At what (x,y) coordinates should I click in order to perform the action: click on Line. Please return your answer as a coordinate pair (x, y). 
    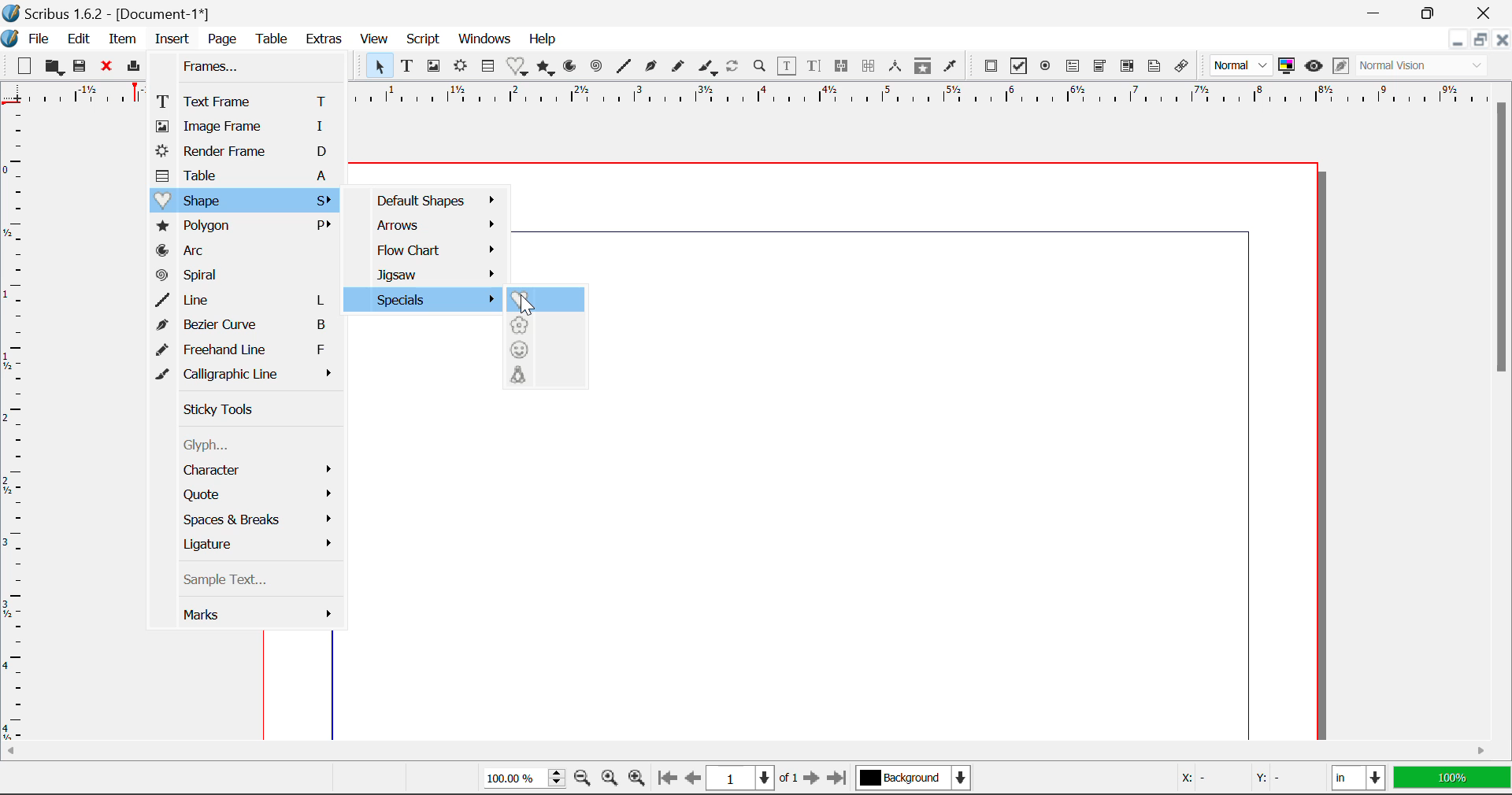
    Looking at the image, I should click on (246, 301).